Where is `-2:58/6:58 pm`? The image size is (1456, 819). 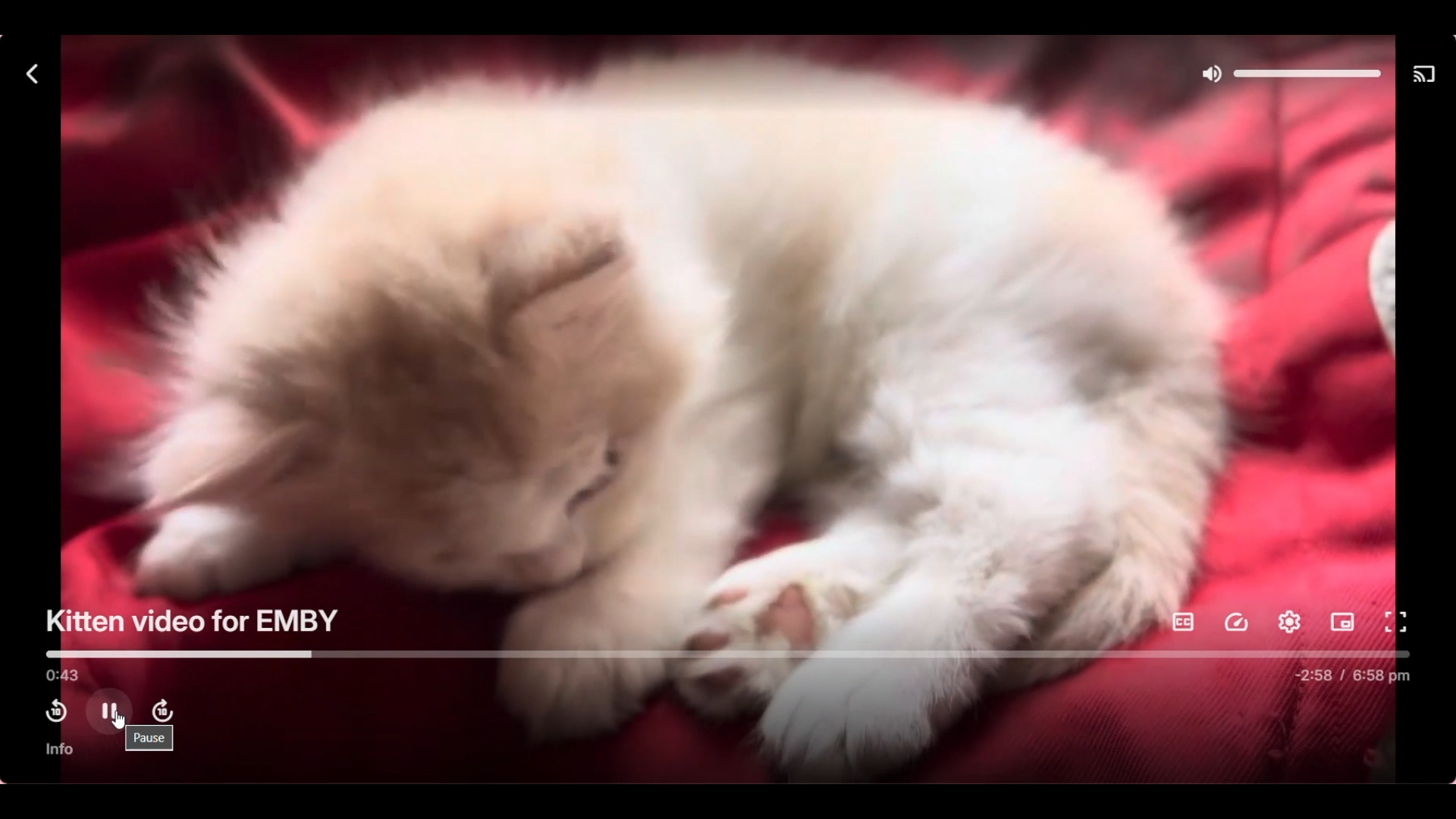
-2:58/6:58 pm is located at coordinates (1352, 676).